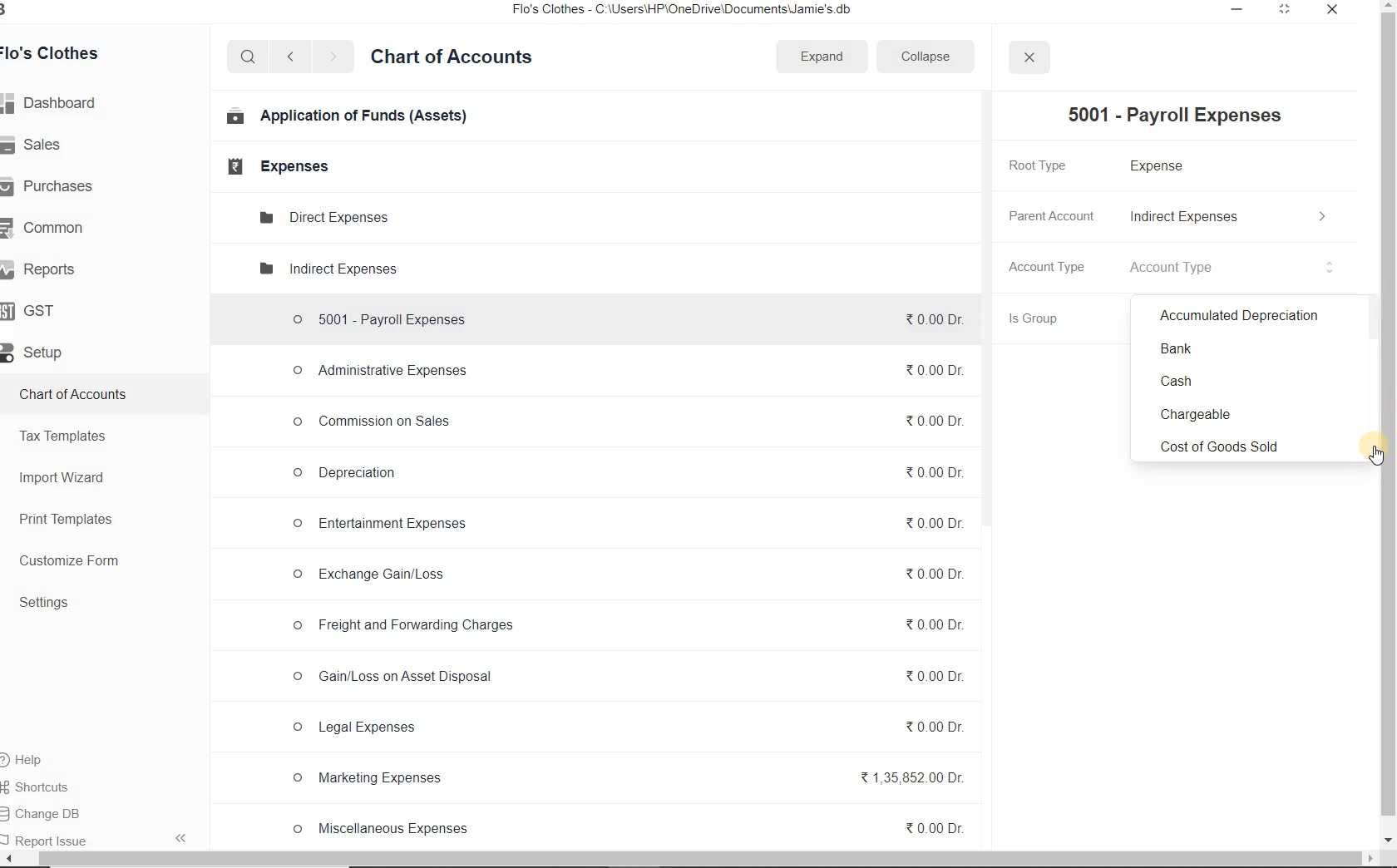  Describe the element at coordinates (627, 574) in the screenshot. I see `O Exchange Gain/Loss %0.000r.` at that location.